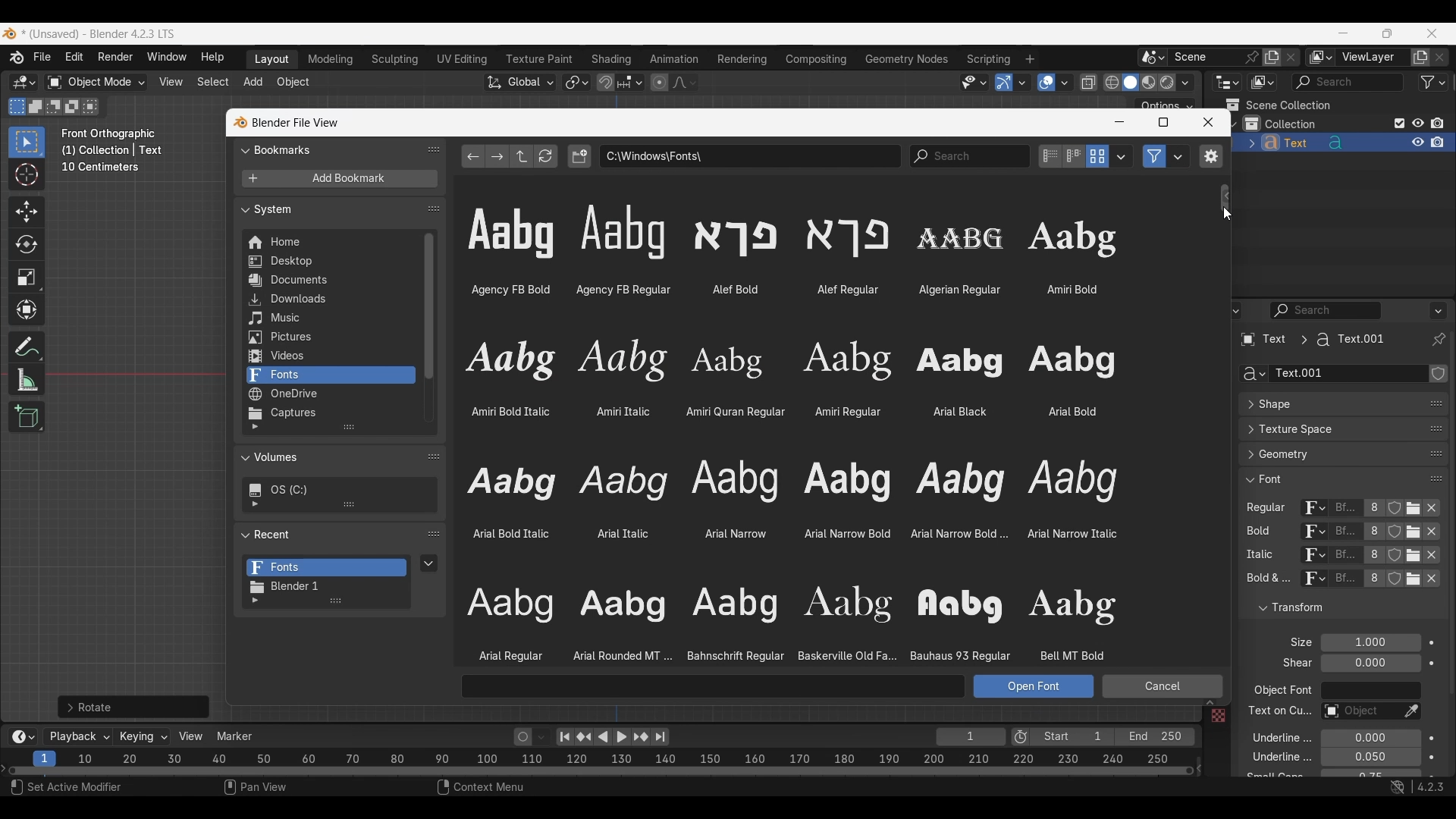  Describe the element at coordinates (1216, 57) in the screenshot. I see `Pin scene to workspace` at that location.